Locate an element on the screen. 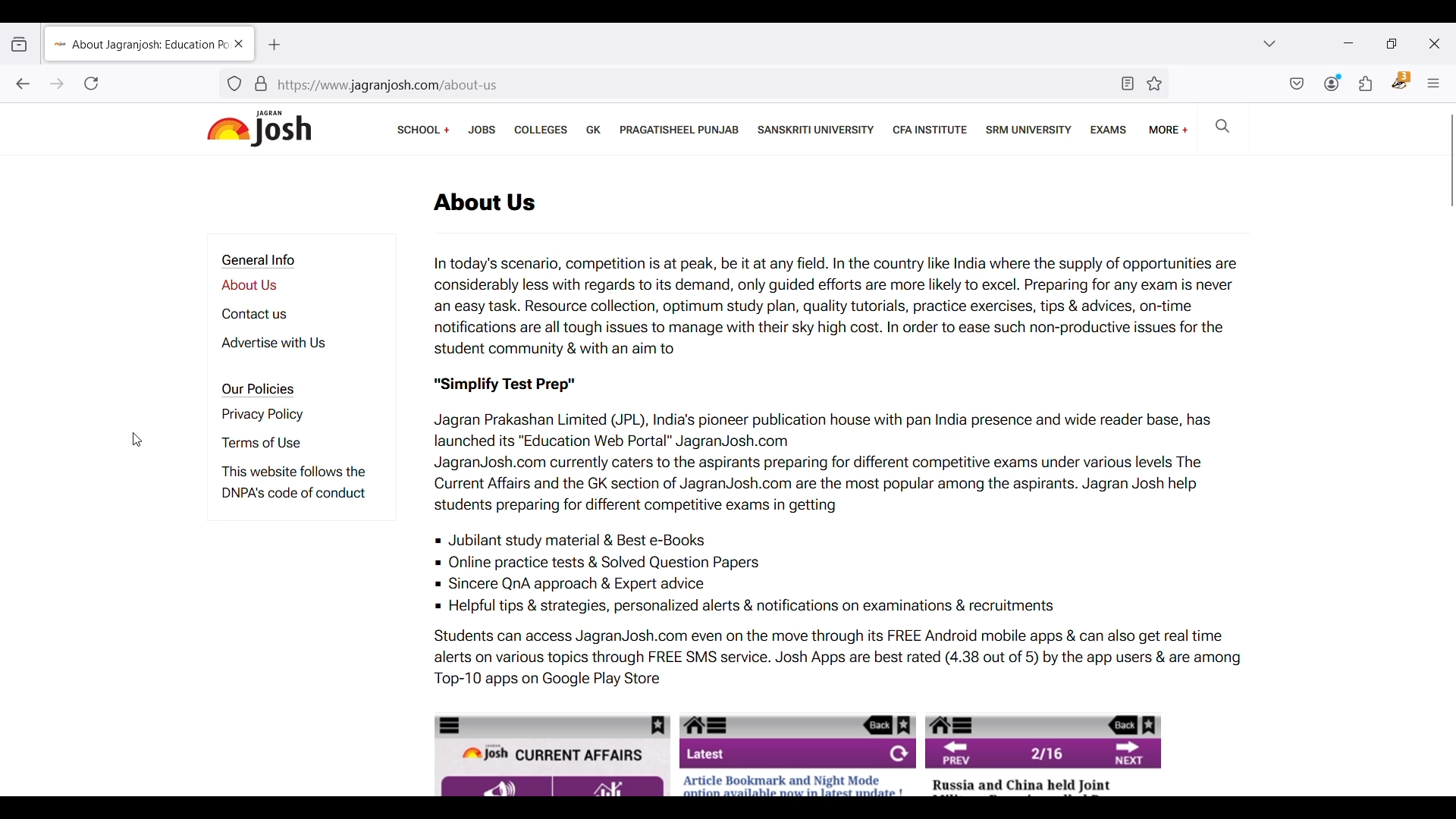 The height and width of the screenshot is (819, 1456). Show interface in a smaller tab is located at coordinates (1392, 44).